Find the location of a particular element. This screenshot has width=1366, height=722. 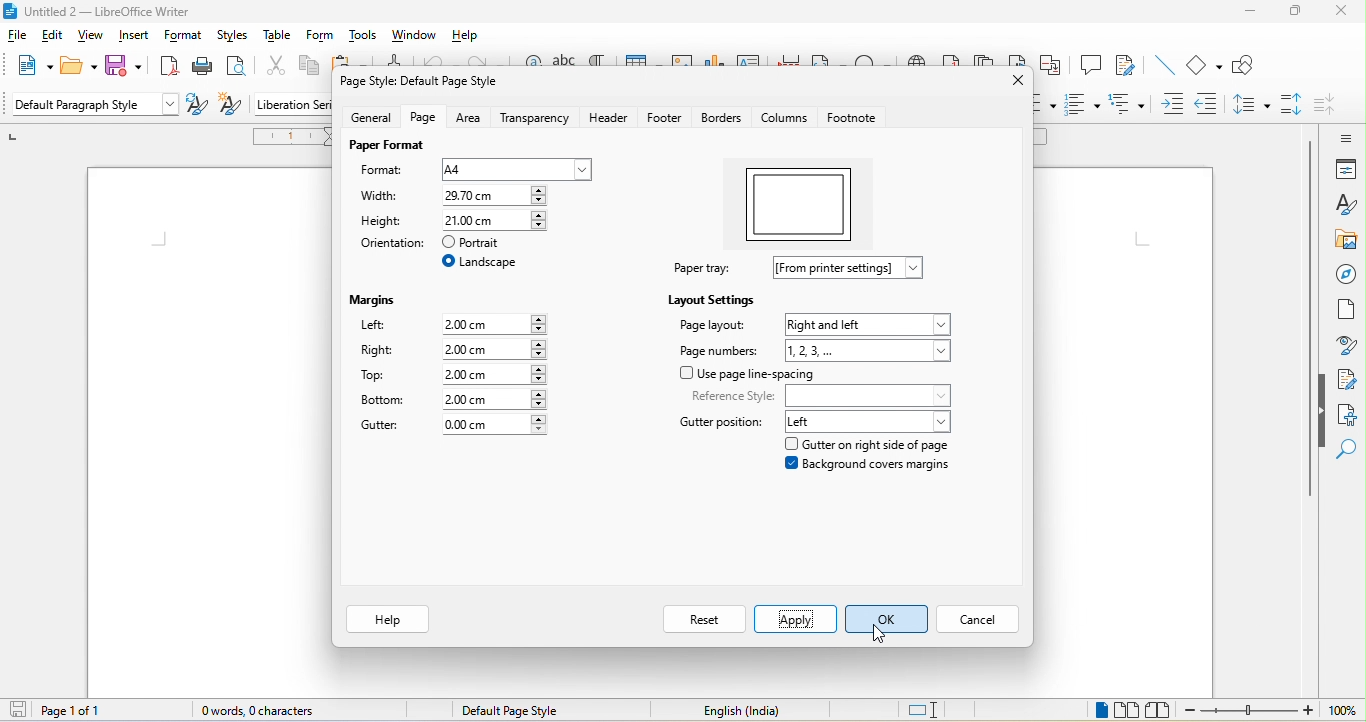

basic shapes is located at coordinates (1201, 65).